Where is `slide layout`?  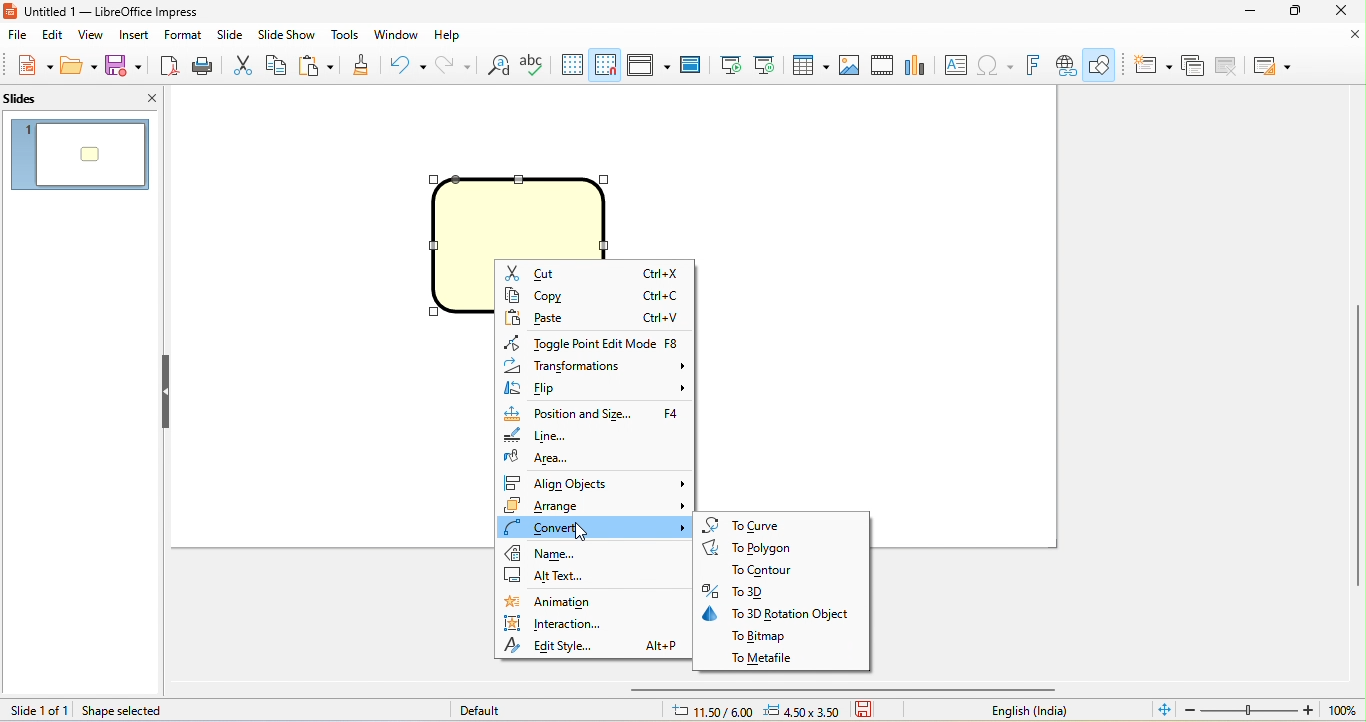 slide layout is located at coordinates (1273, 65).